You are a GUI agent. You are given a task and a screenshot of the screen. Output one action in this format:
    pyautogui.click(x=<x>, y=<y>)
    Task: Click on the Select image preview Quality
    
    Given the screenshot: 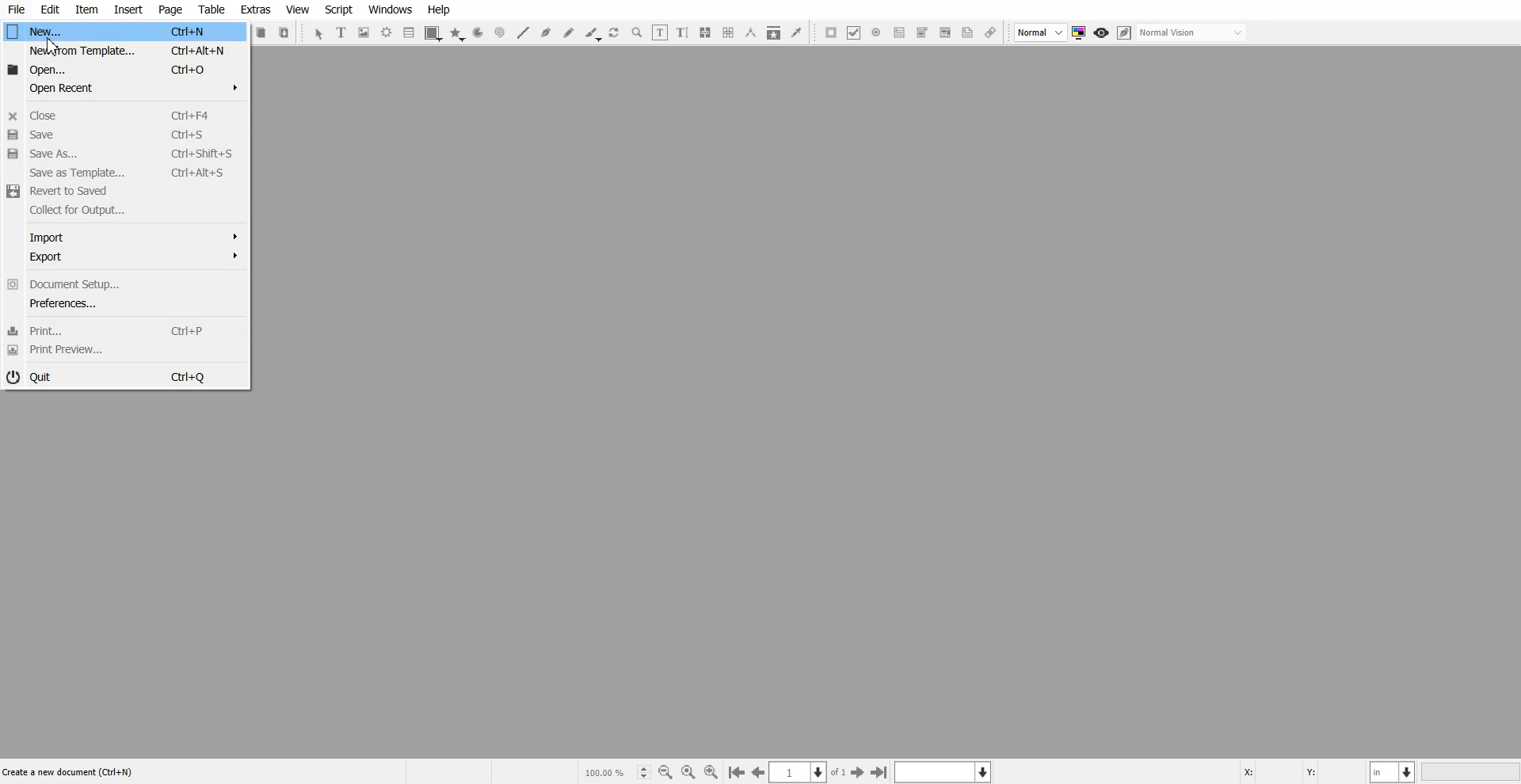 What is the action you would take?
    pyautogui.click(x=1041, y=32)
    